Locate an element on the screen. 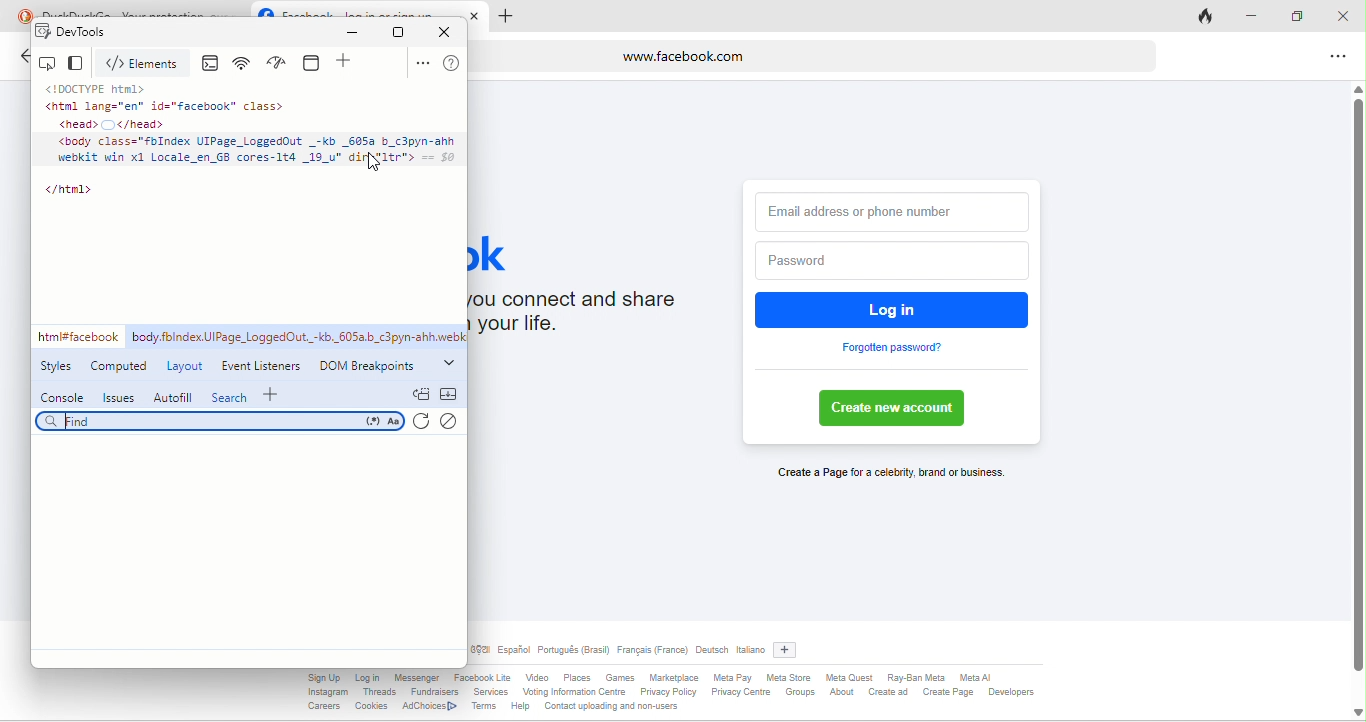 This screenshot has width=1366, height=722. search is located at coordinates (221, 423).